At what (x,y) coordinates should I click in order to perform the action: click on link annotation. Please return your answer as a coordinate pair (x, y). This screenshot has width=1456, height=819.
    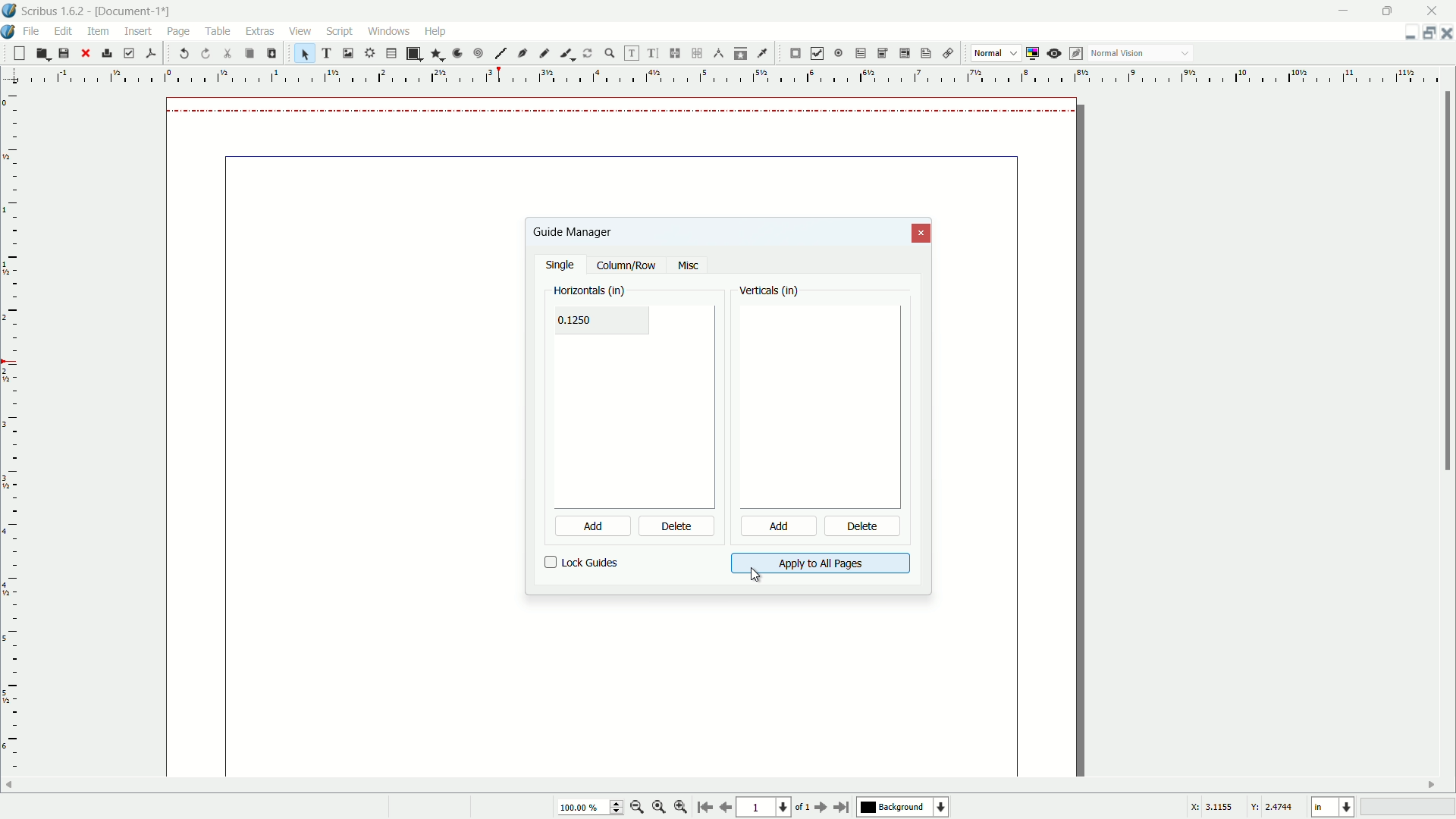
    Looking at the image, I should click on (945, 54).